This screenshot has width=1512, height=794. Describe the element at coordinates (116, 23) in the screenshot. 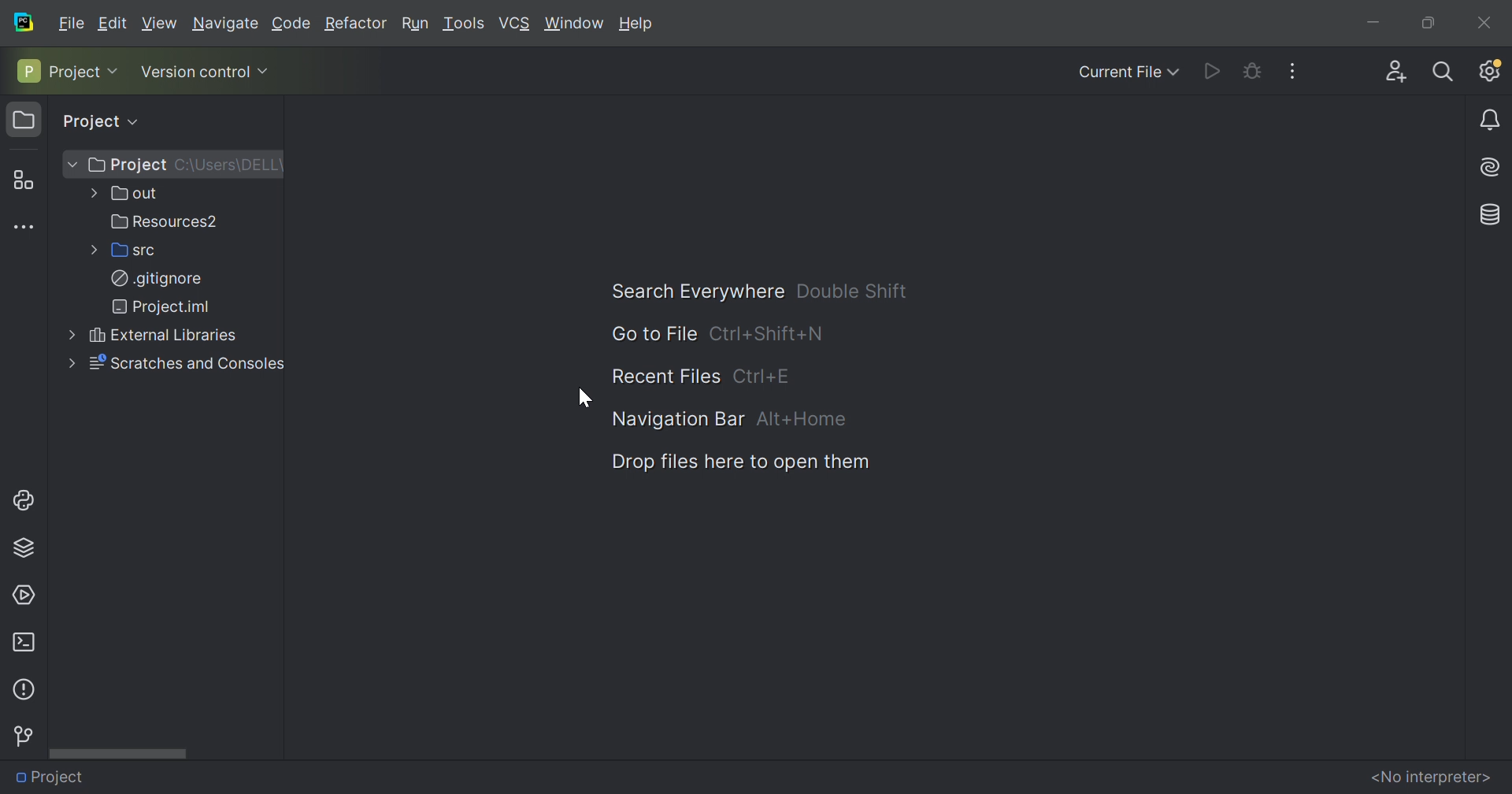

I see `Edit` at that location.